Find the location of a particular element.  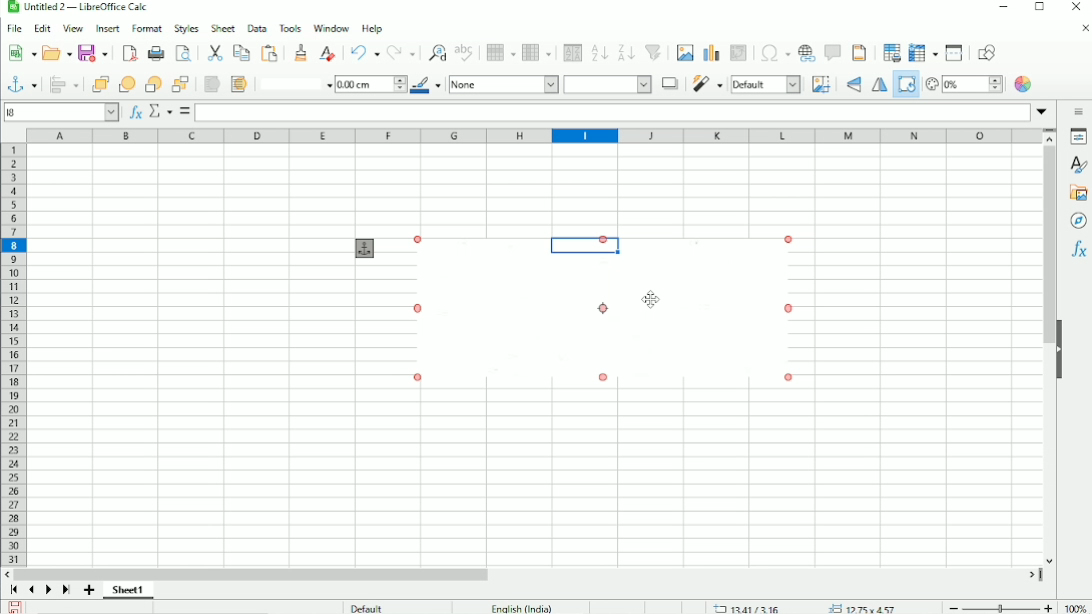

Sidebar settings is located at coordinates (1076, 111).